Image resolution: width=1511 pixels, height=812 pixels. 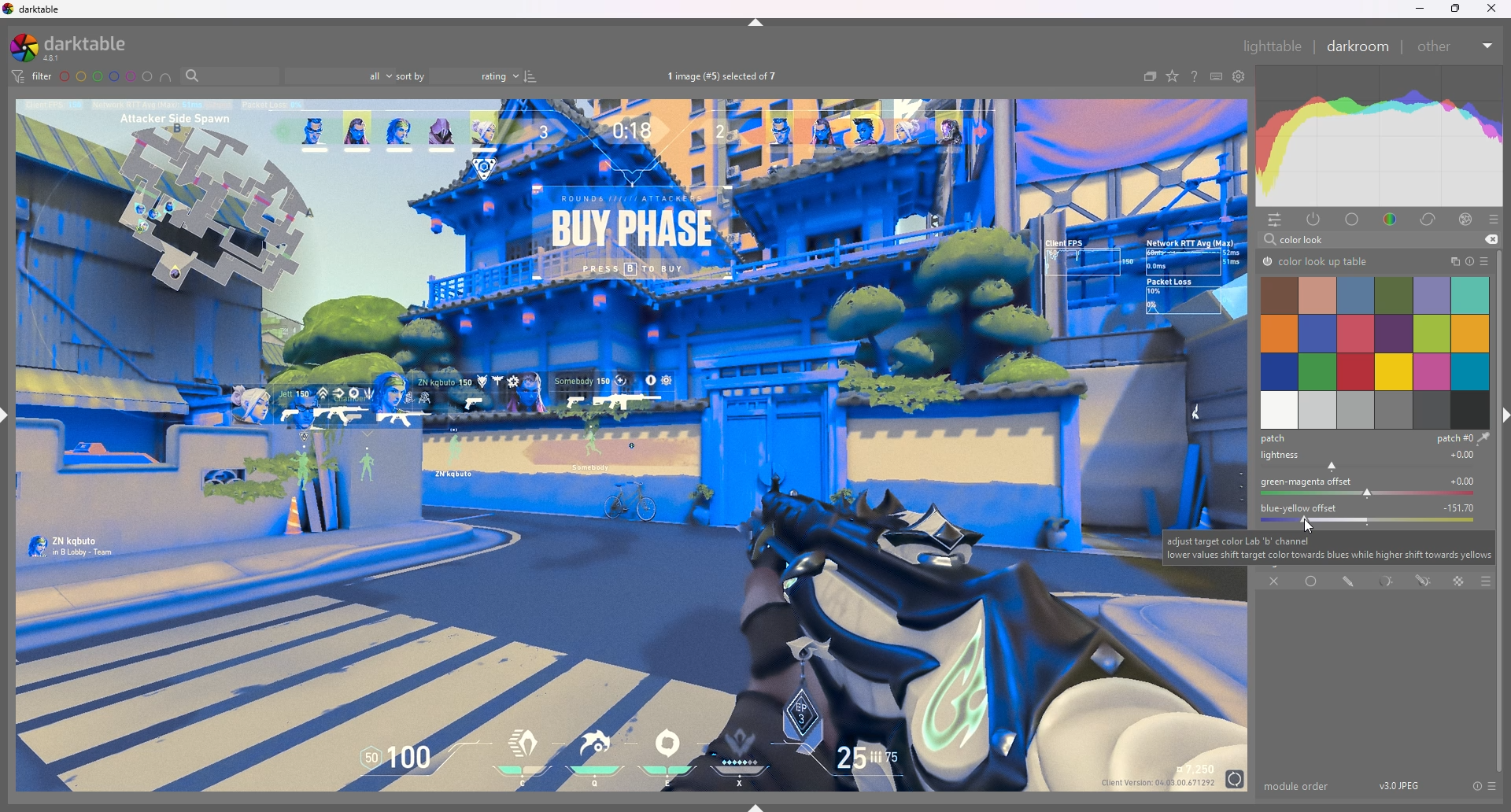 What do you see at coordinates (339, 75) in the screenshot?
I see `filter by images rating` at bounding box center [339, 75].